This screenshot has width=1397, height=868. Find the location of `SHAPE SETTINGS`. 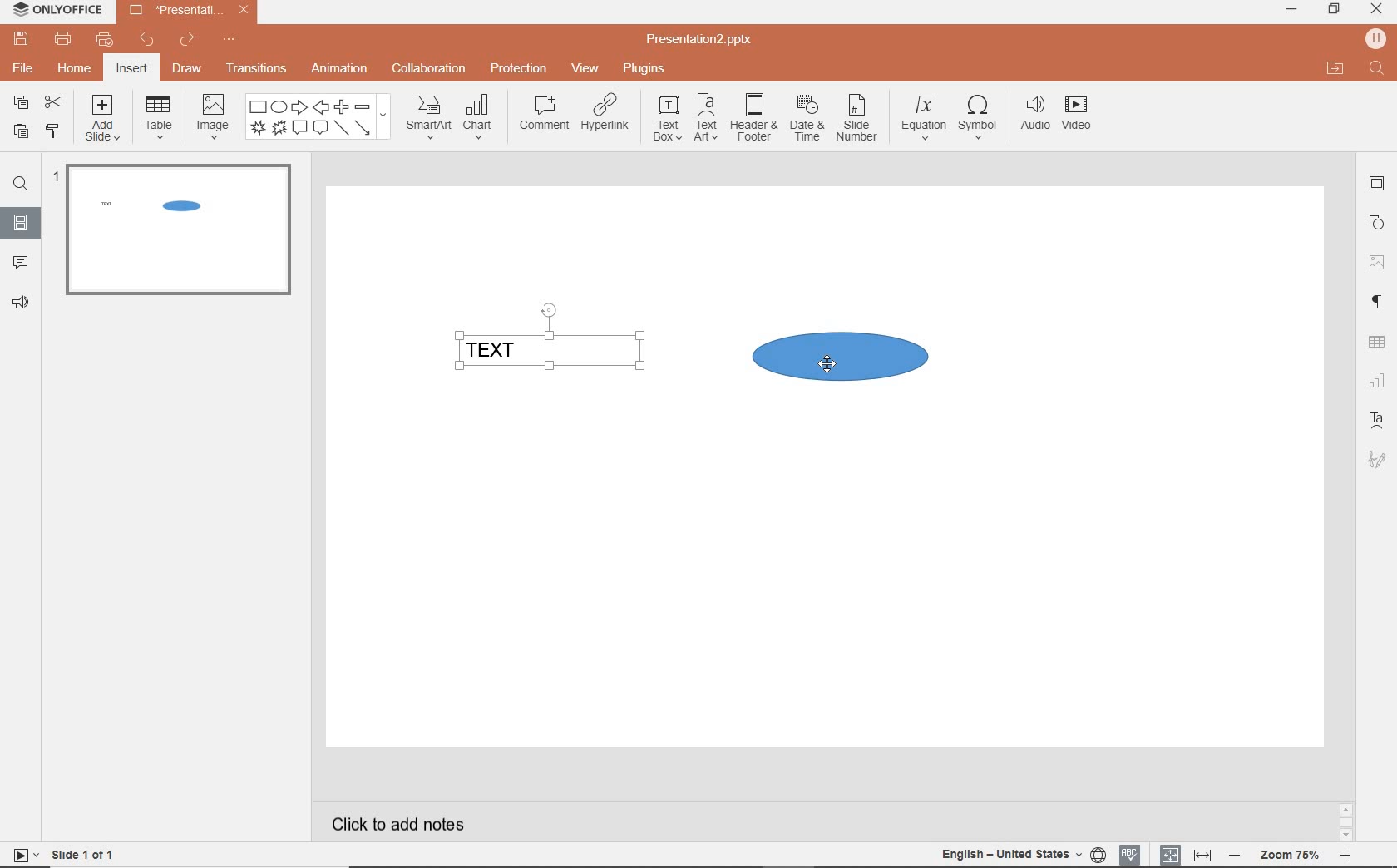

SHAPE SETTINGS is located at coordinates (1378, 220).